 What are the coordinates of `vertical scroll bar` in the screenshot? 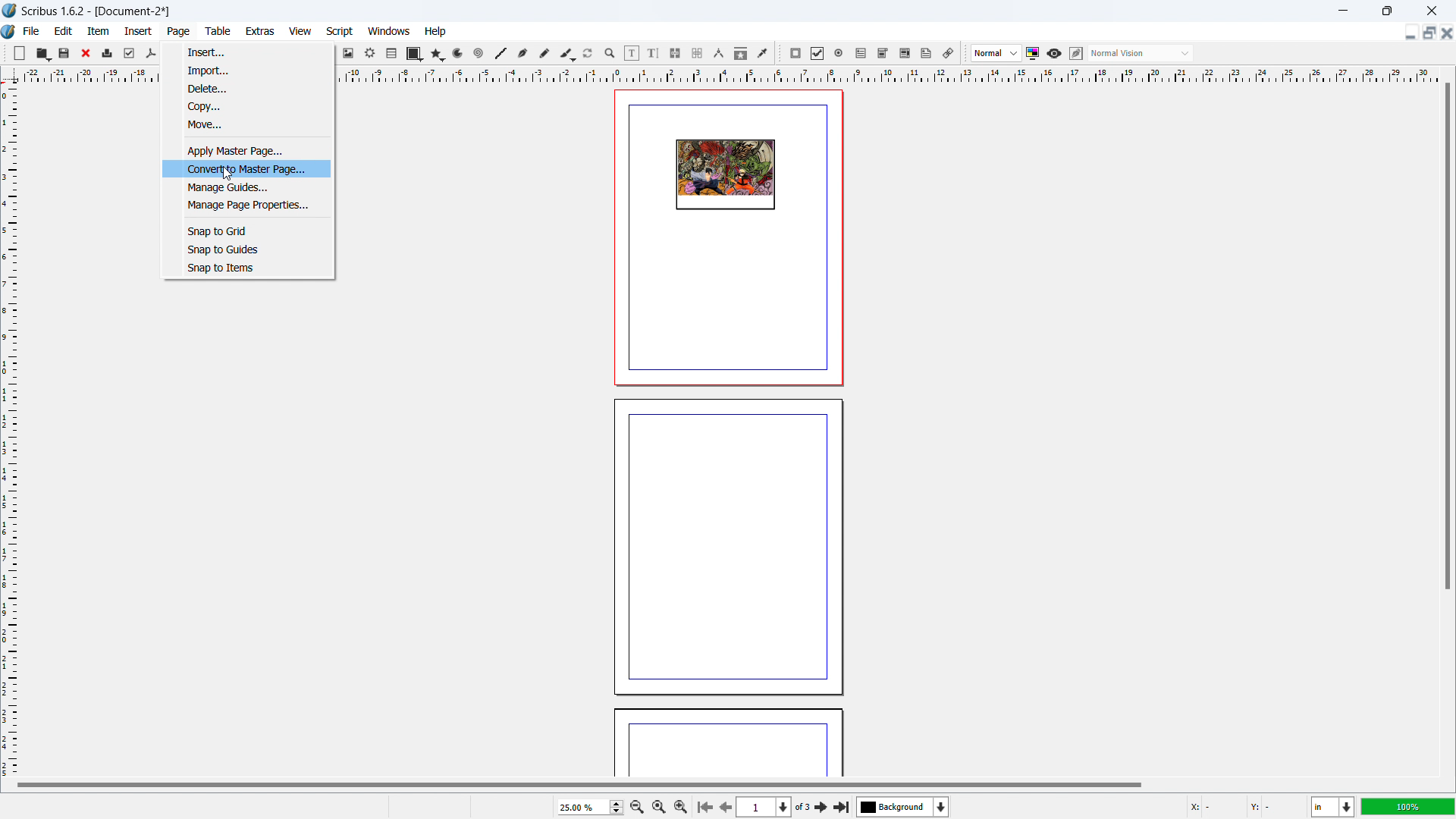 It's located at (1446, 341).